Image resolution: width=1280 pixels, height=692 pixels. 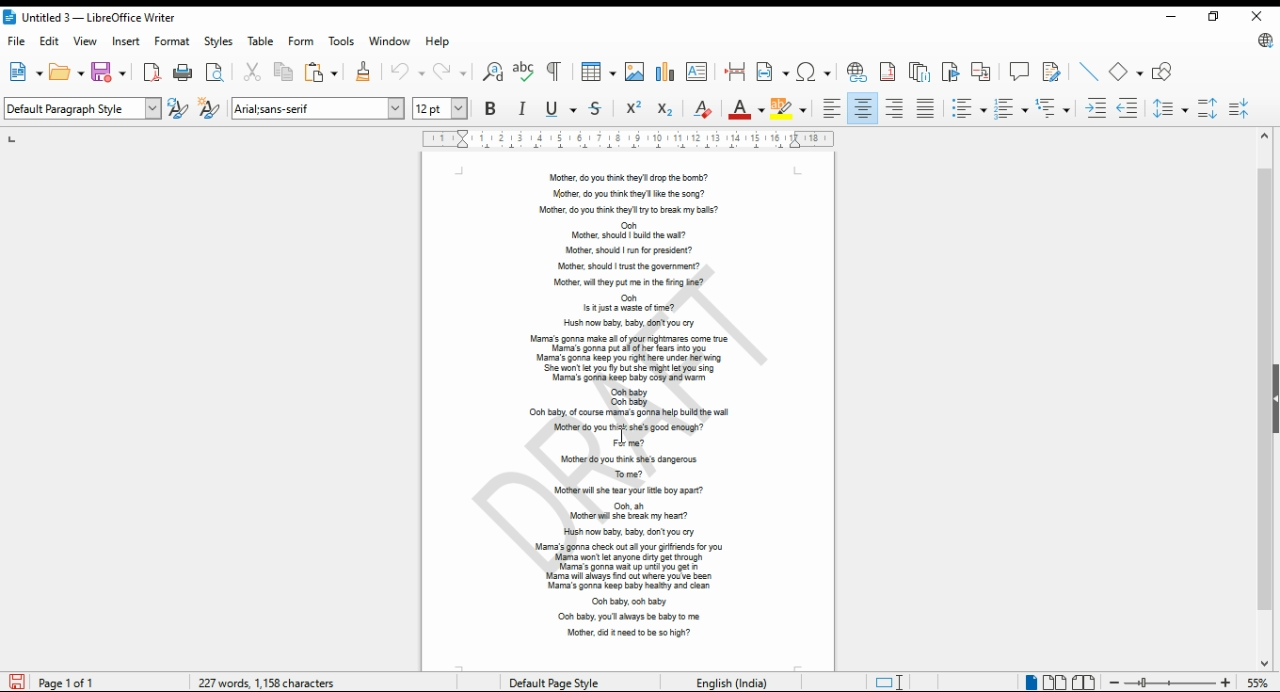 What do you see at coordinates (322, 72) in the screenshot?
I see `paste` at bounding box center [322, 72].